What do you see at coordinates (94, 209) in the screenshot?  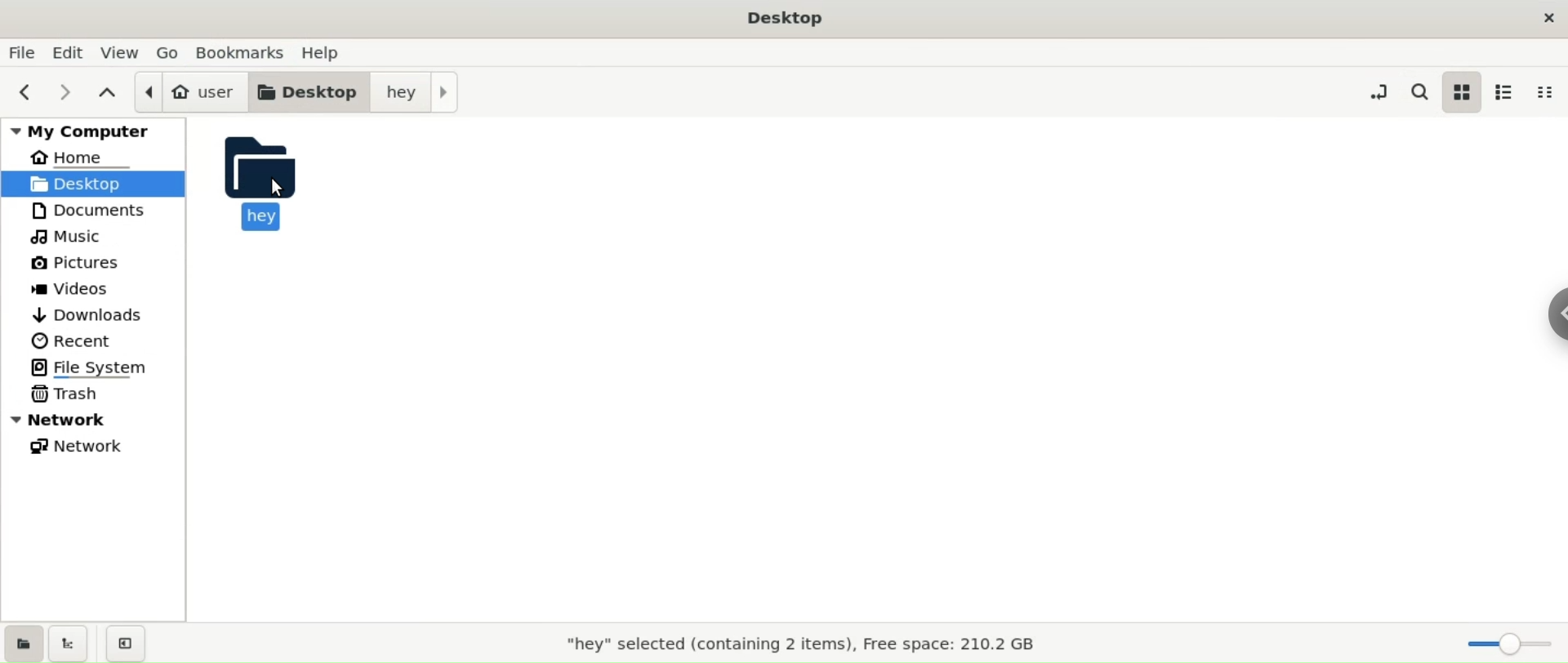 I see `documents` at bounding box center [94, 209].